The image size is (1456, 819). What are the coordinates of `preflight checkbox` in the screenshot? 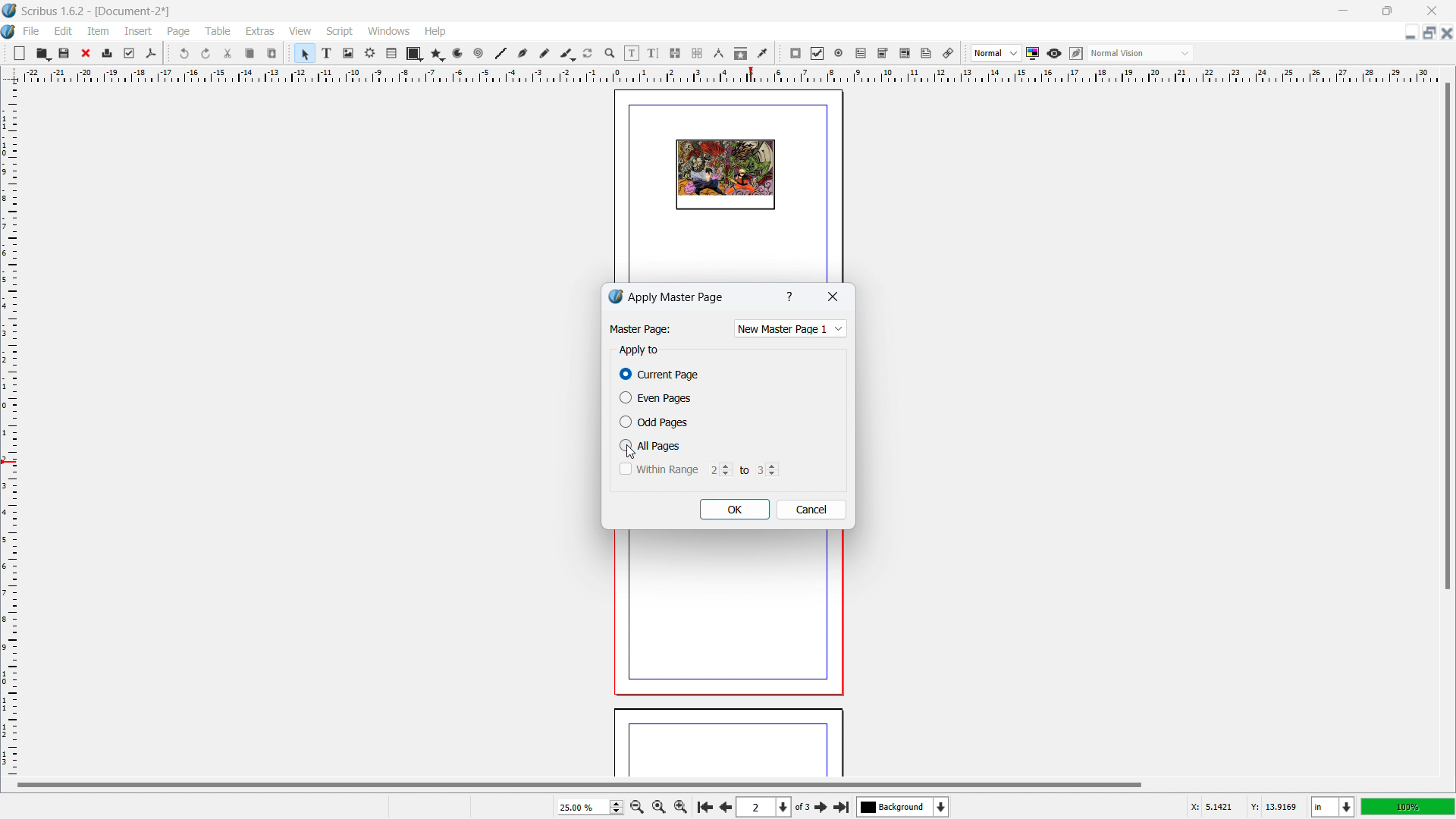 It's located at (130, 53).